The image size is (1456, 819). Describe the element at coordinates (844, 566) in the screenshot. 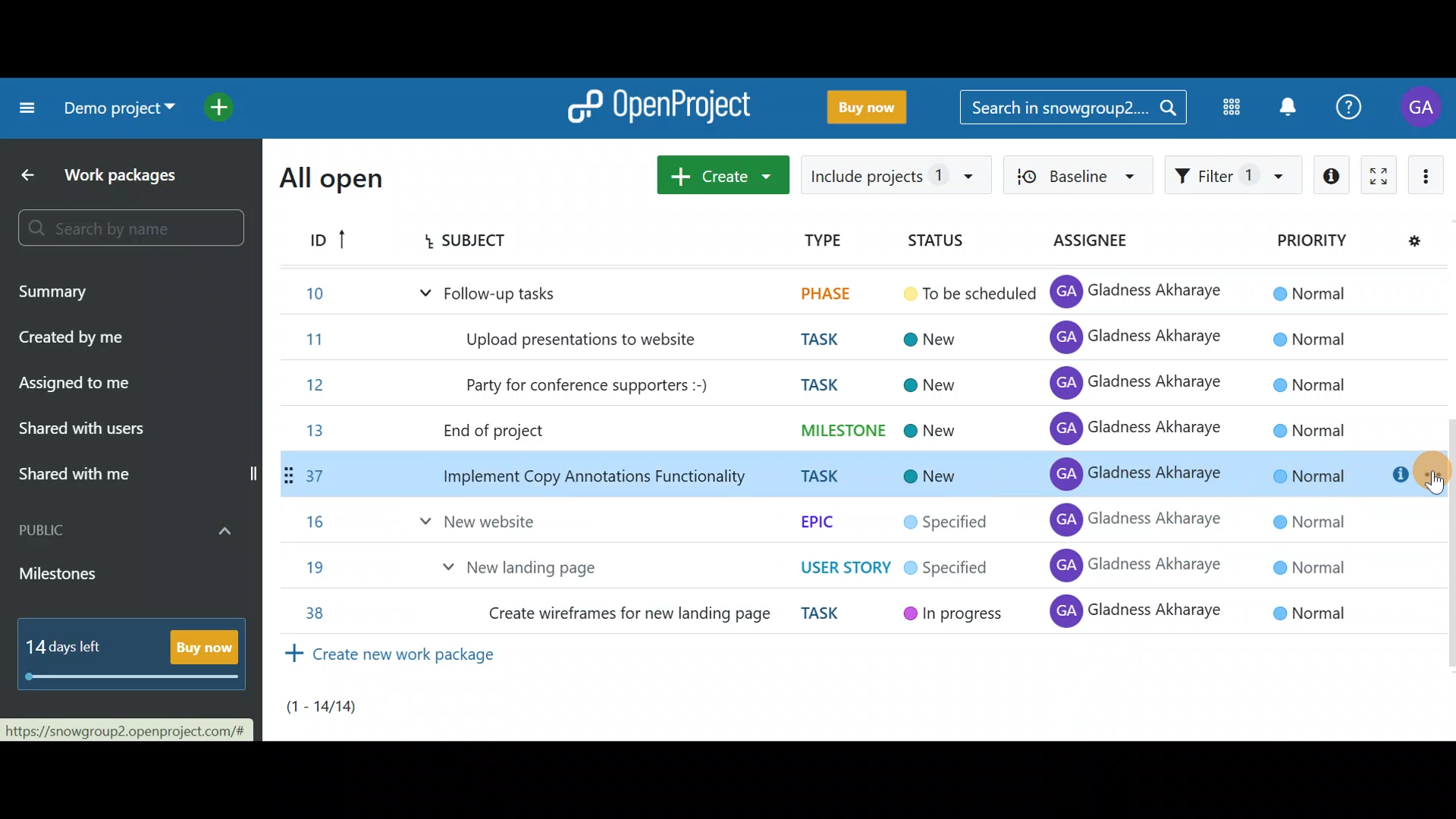

I see `USER STORY` at that location.